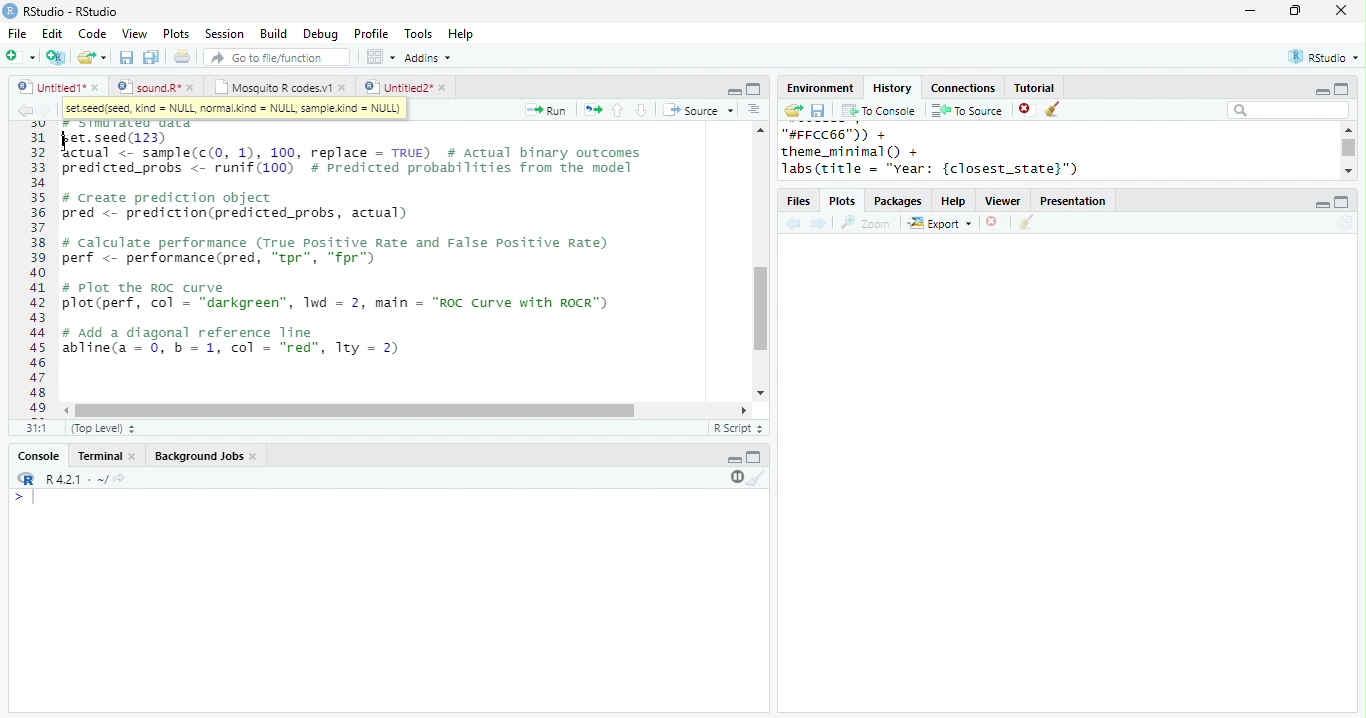 The width and height of the screenshot is (1366, 718). Describe the element at coordinates (40, 269) in the screenshot. I see `line numbering` at that location.